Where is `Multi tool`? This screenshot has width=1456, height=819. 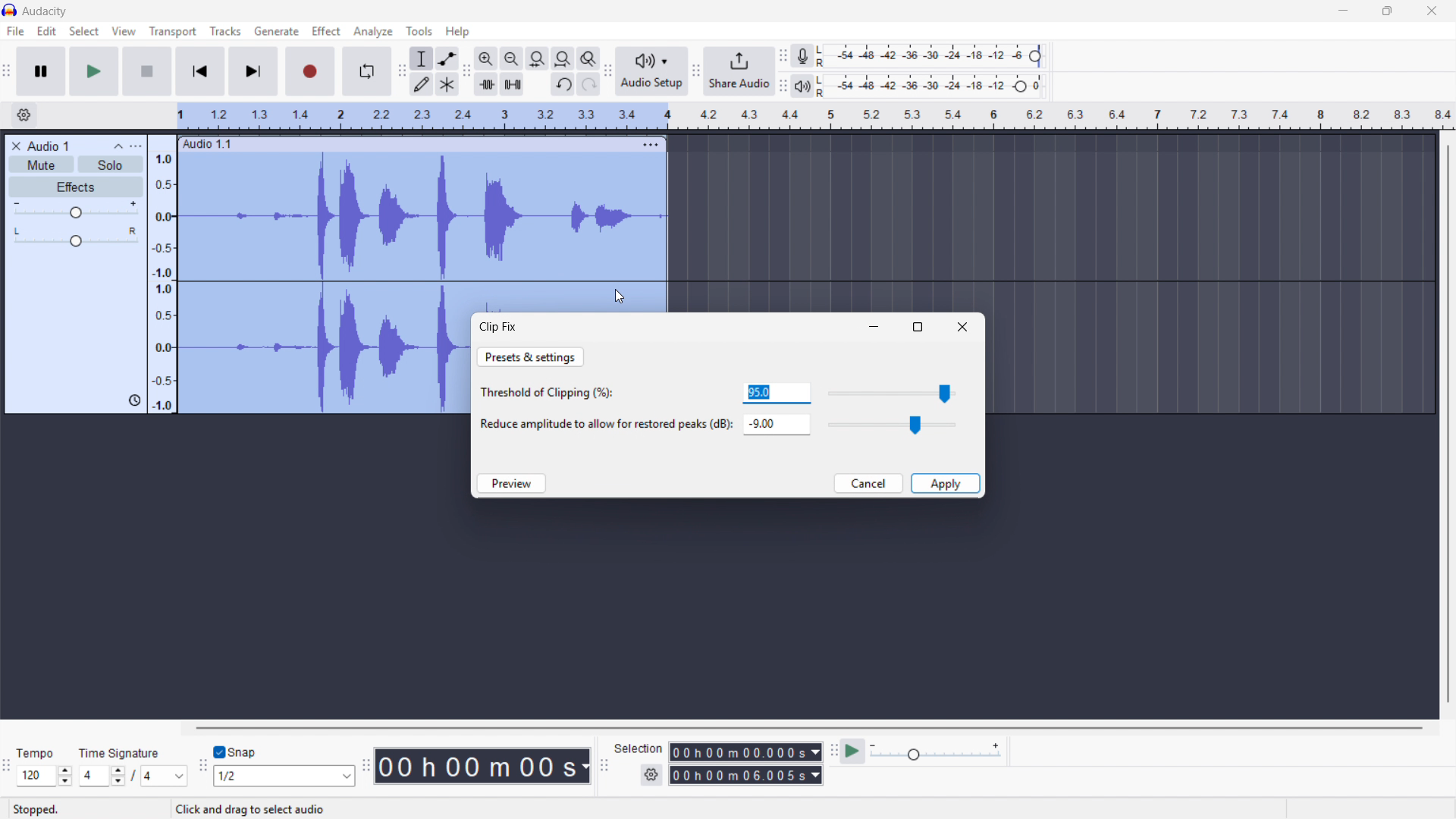
Multi tool is located at coordinates (447, 85).